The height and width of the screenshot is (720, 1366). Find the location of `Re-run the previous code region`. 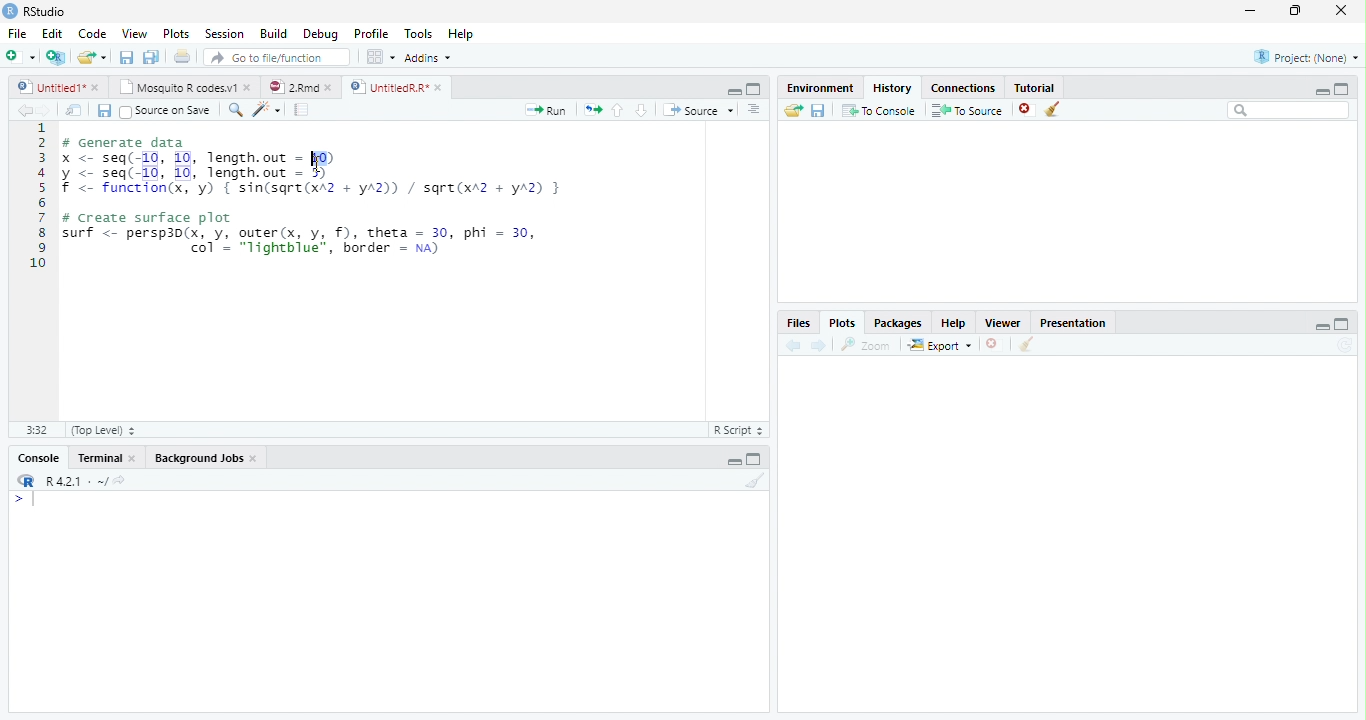

Re-run the previous code region is located at coordinates (592, 109).